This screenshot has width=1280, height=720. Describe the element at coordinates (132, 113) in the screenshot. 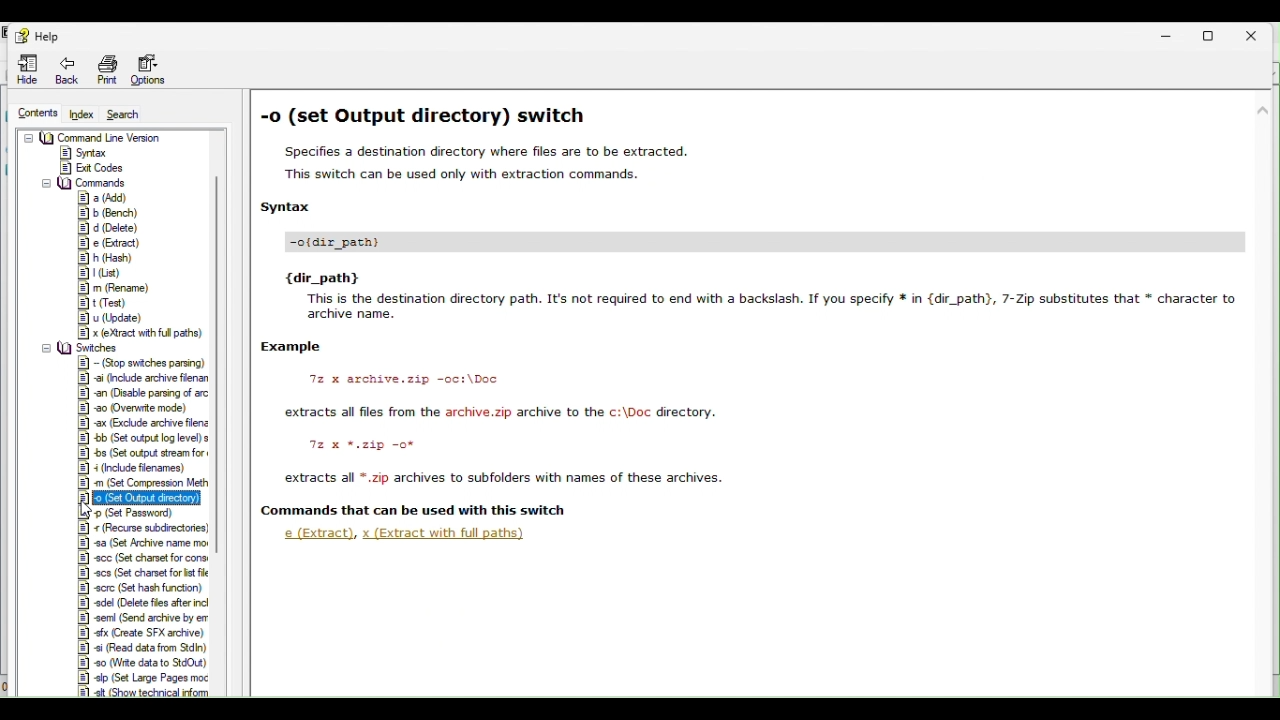

I see `Search` at that location.